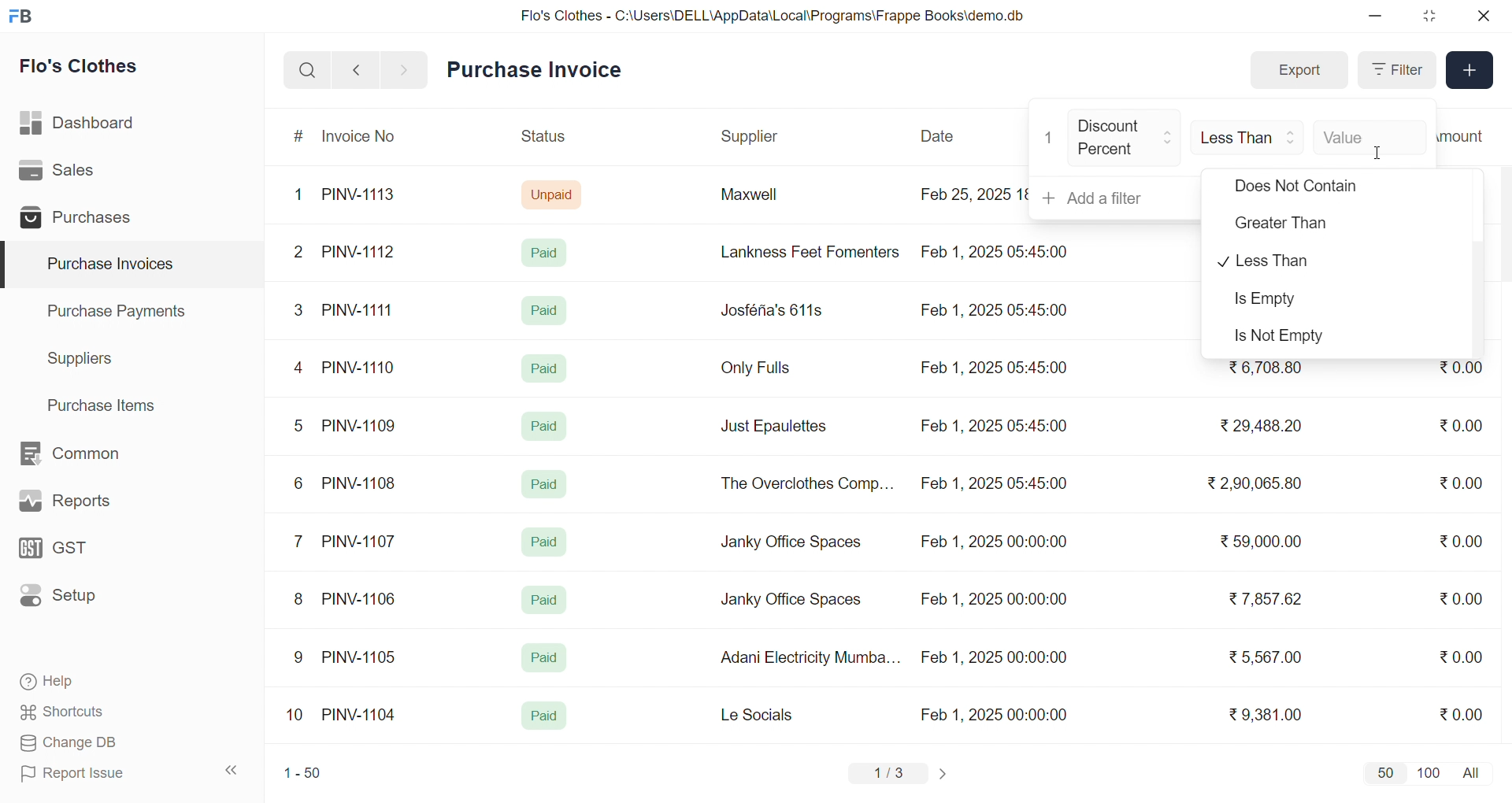  Describe the element at coordinates (298, 716) in the screenshot. I see `10` at that location.